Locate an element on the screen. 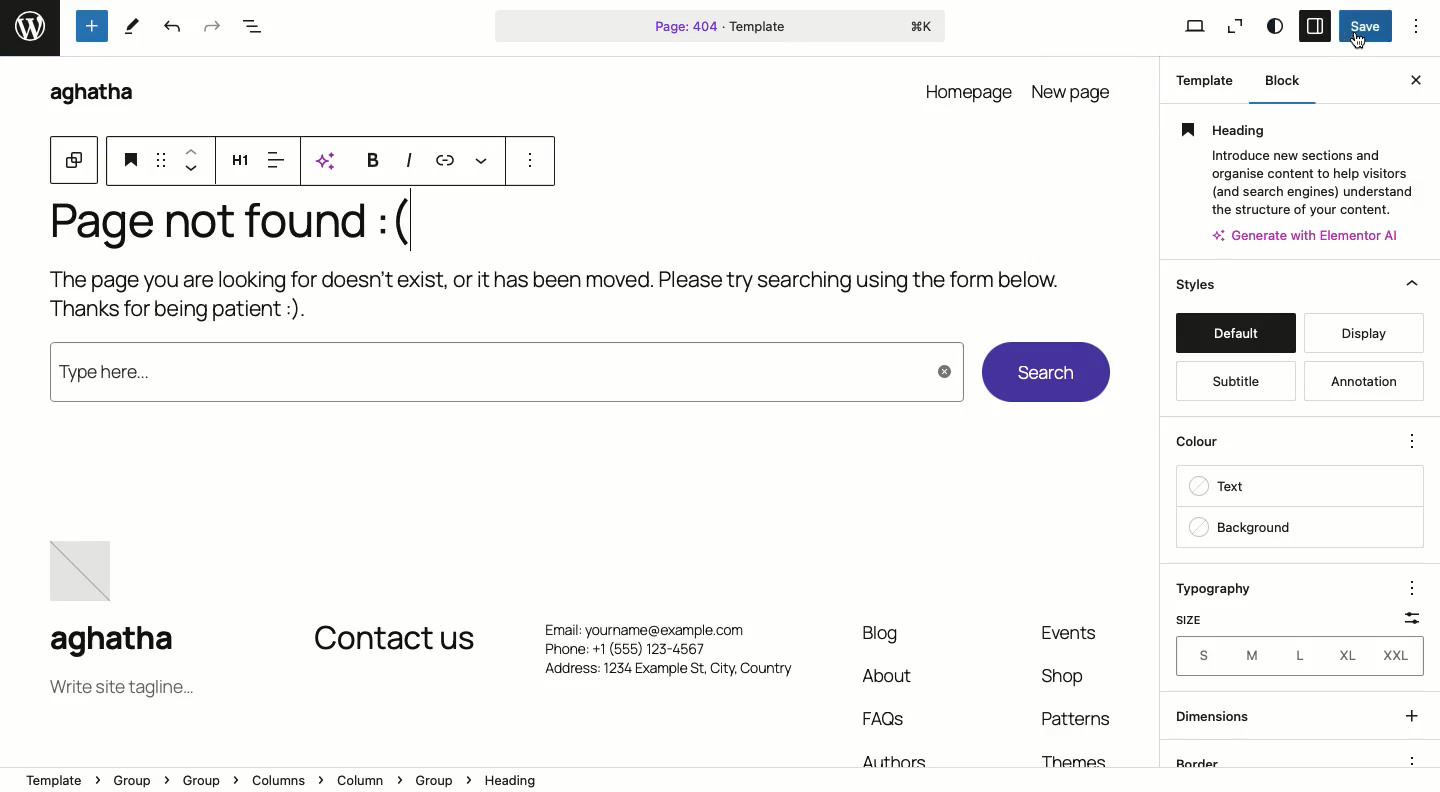  Contact us is located at coordinates (394, 640).